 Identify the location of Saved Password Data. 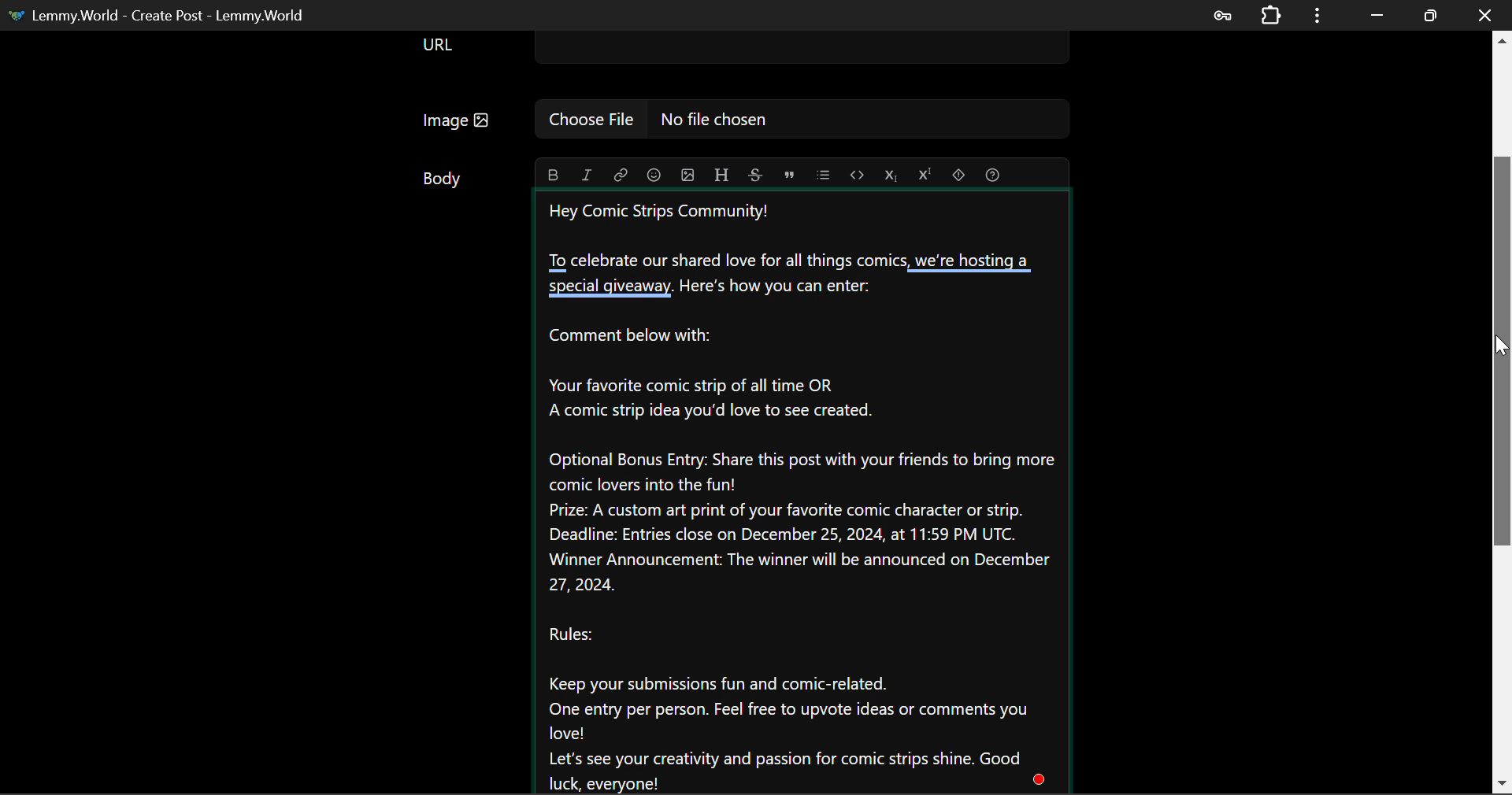
(1221, 15).